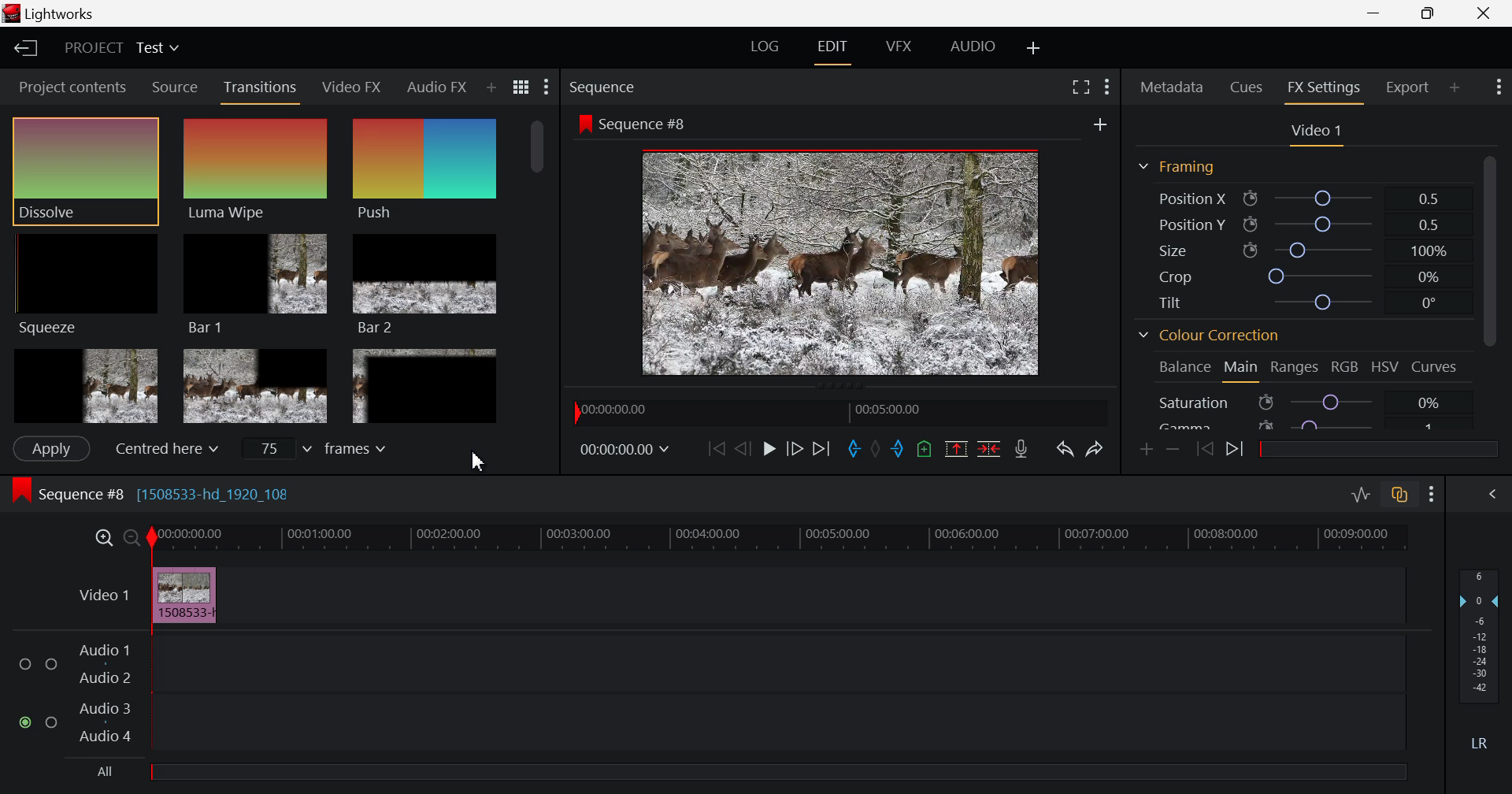 The image size is (1512, 794). What do you see at coordinates (424, 386) in the screenshot?
I see `Box 3` at bounding box center [424, 386].